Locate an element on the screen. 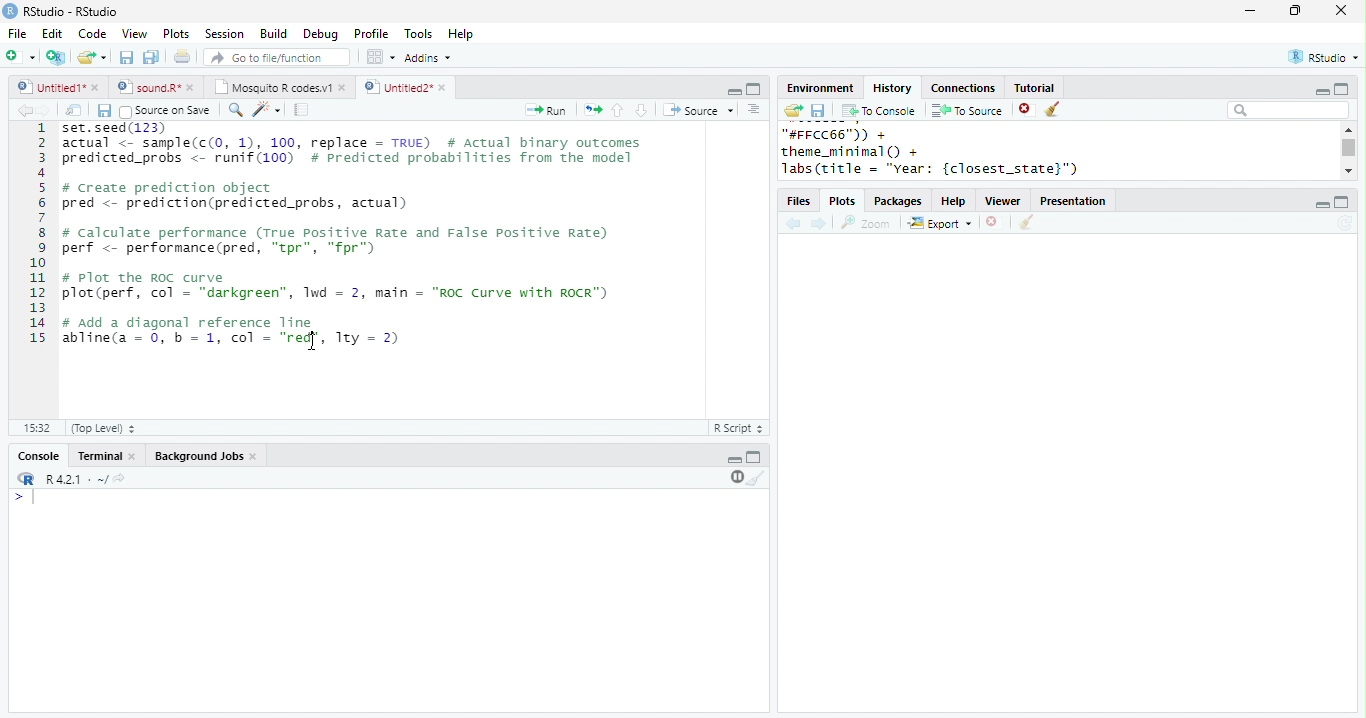 The image size is (1366, 718). > is located at coordinates (27, 497).